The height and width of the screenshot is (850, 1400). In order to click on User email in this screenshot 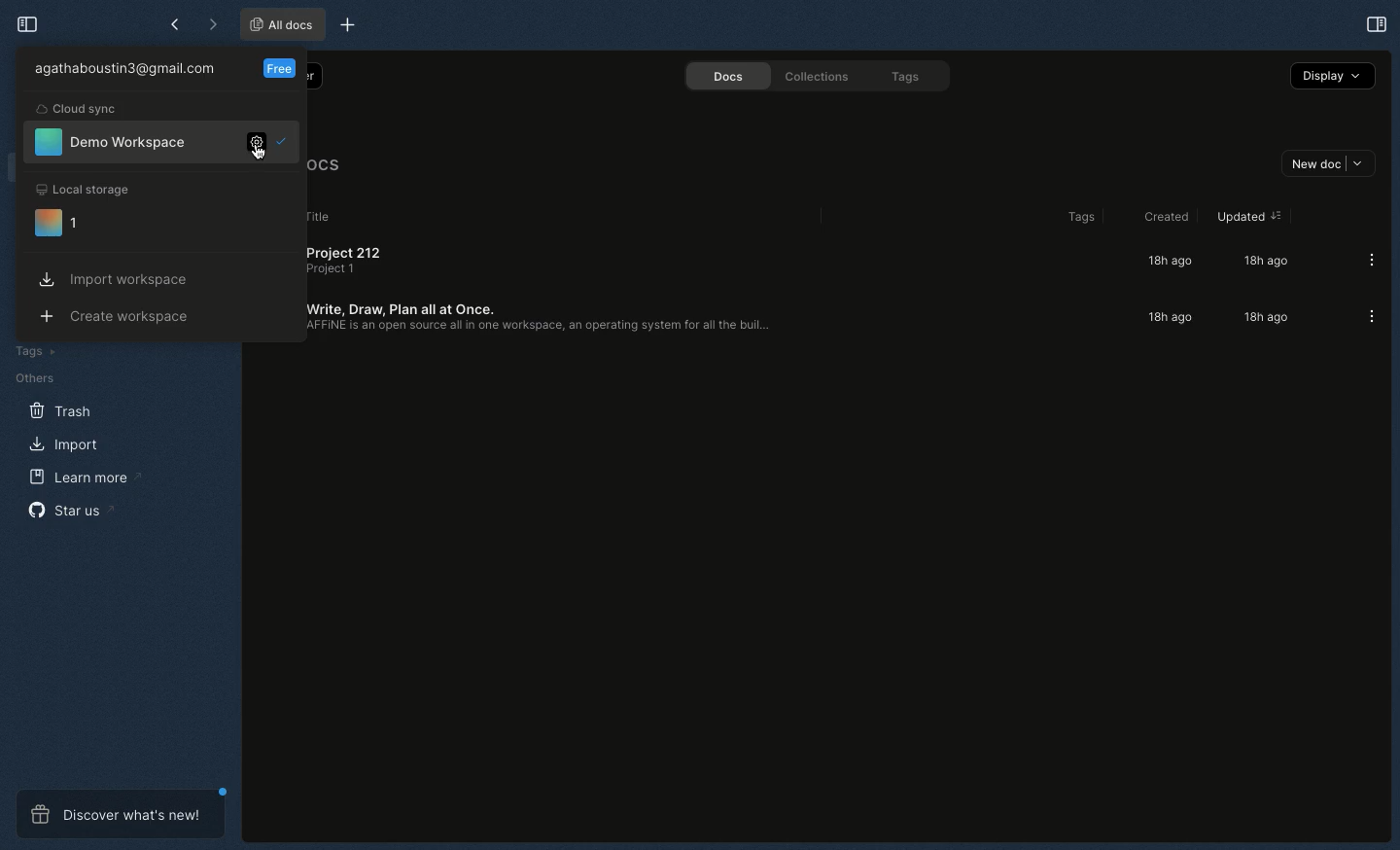, I will do `click(129, 71)`.